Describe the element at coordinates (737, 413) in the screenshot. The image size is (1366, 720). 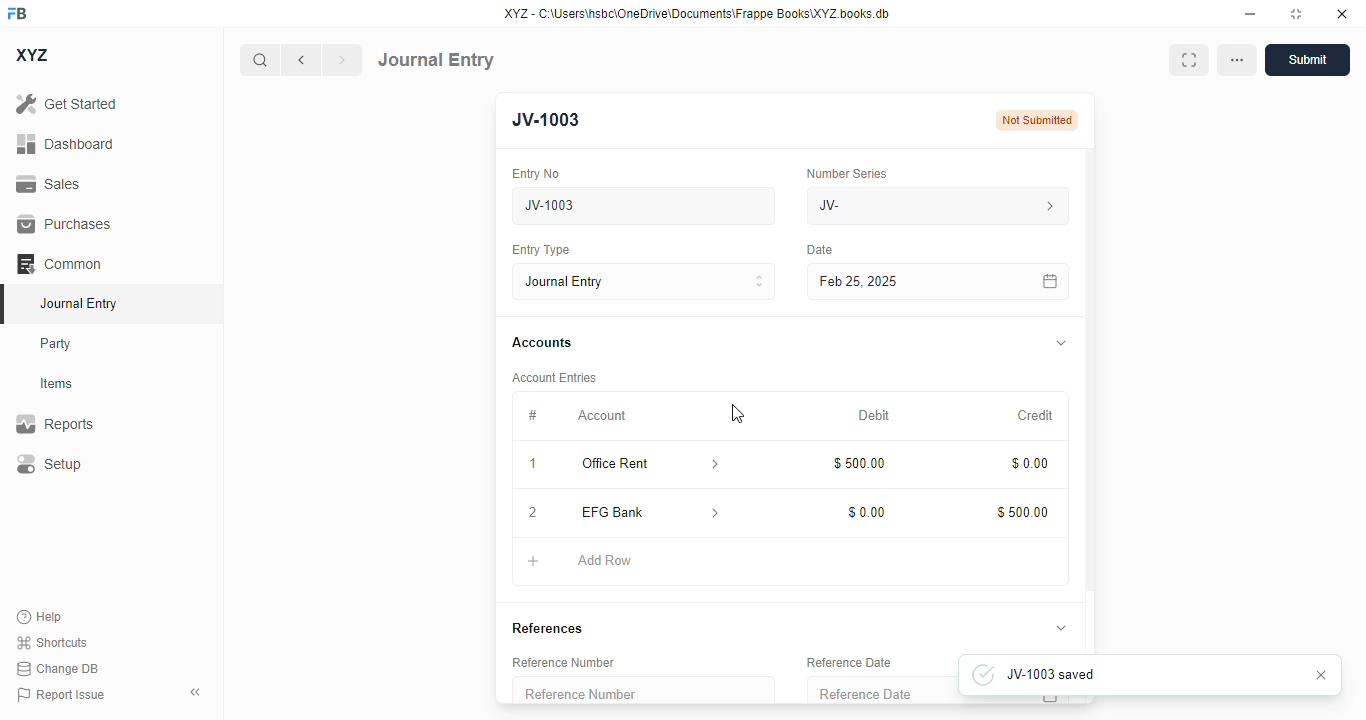
I see `cursor` at that location.